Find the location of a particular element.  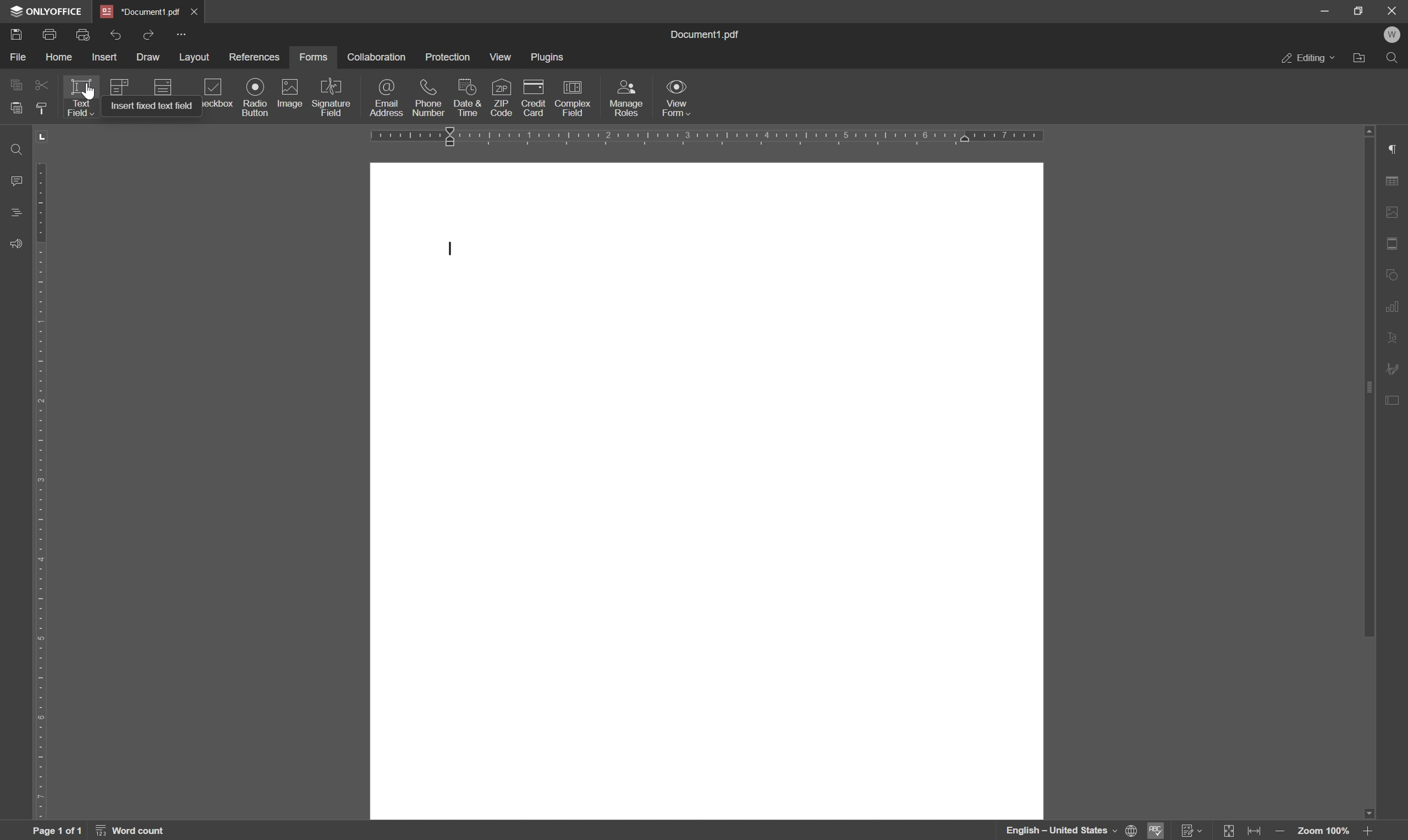

ruler is located at coordinates (707, 137).